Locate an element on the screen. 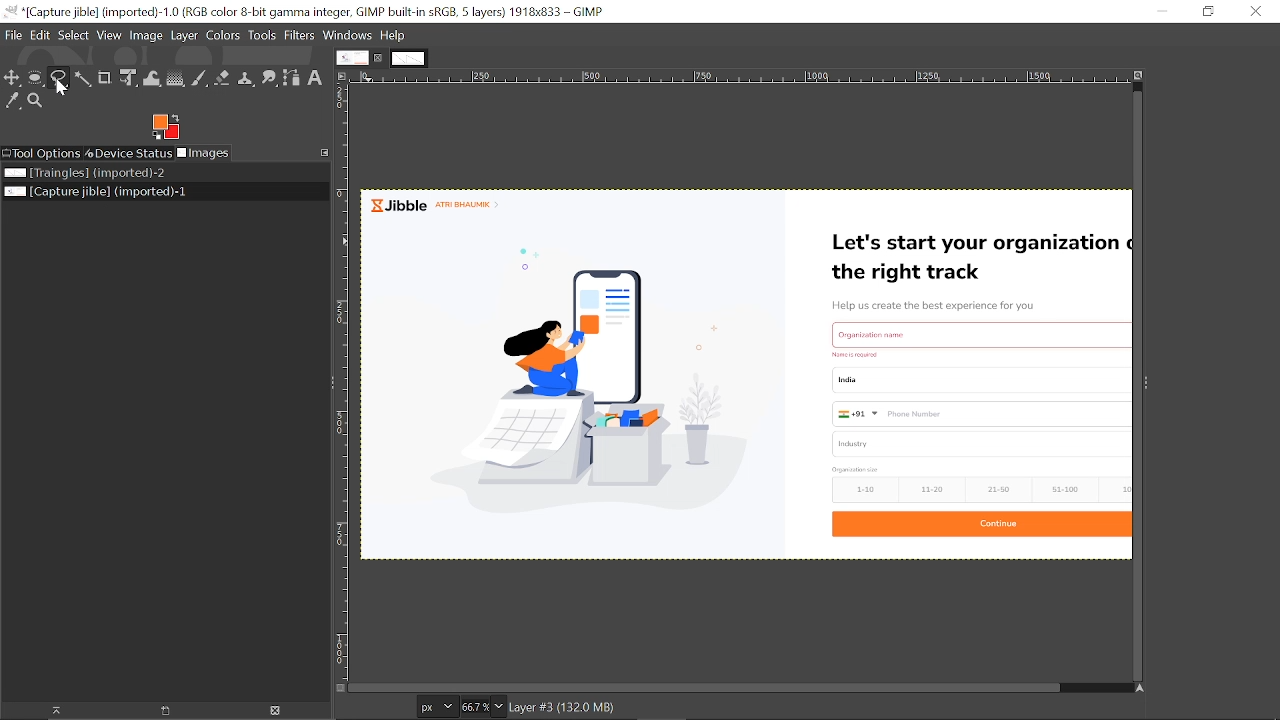  Fuzzy select tool is located at coordinates (84, 79).